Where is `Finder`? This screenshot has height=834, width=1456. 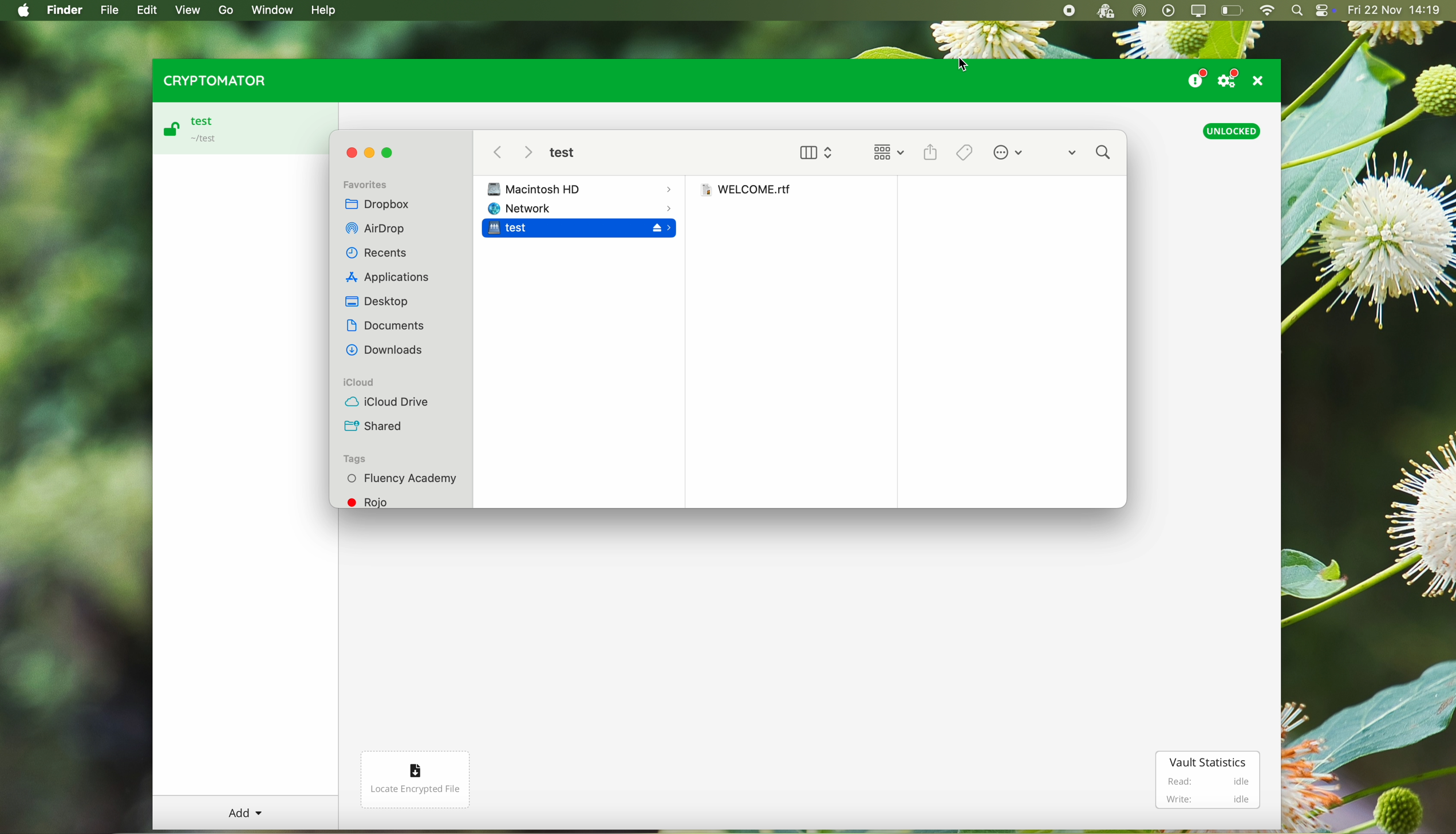
Finder is located at coordinates (66, 11).